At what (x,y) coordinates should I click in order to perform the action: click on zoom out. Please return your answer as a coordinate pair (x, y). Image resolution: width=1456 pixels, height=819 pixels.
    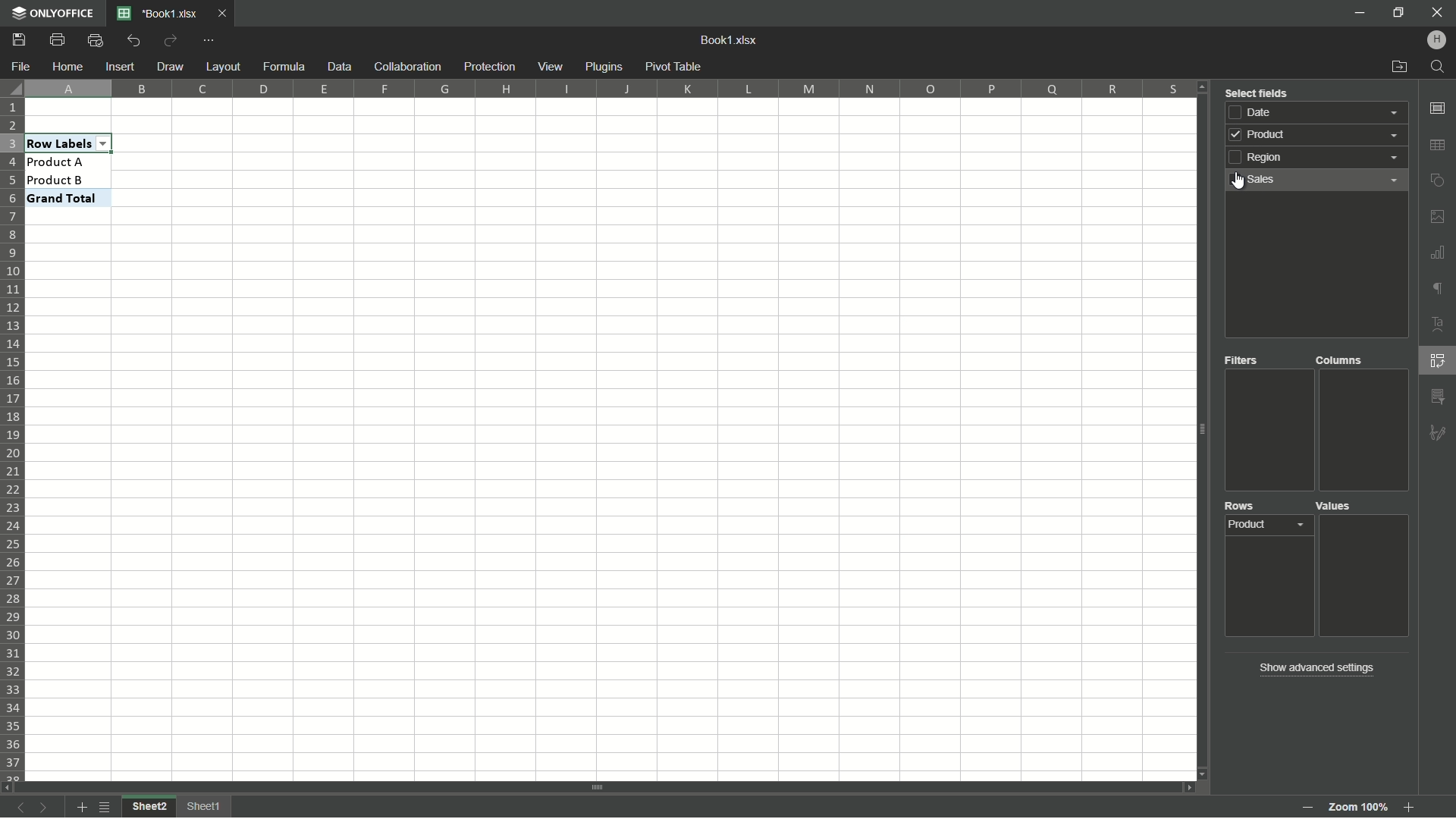
    Looking at the image, I should click on (1305, 808).